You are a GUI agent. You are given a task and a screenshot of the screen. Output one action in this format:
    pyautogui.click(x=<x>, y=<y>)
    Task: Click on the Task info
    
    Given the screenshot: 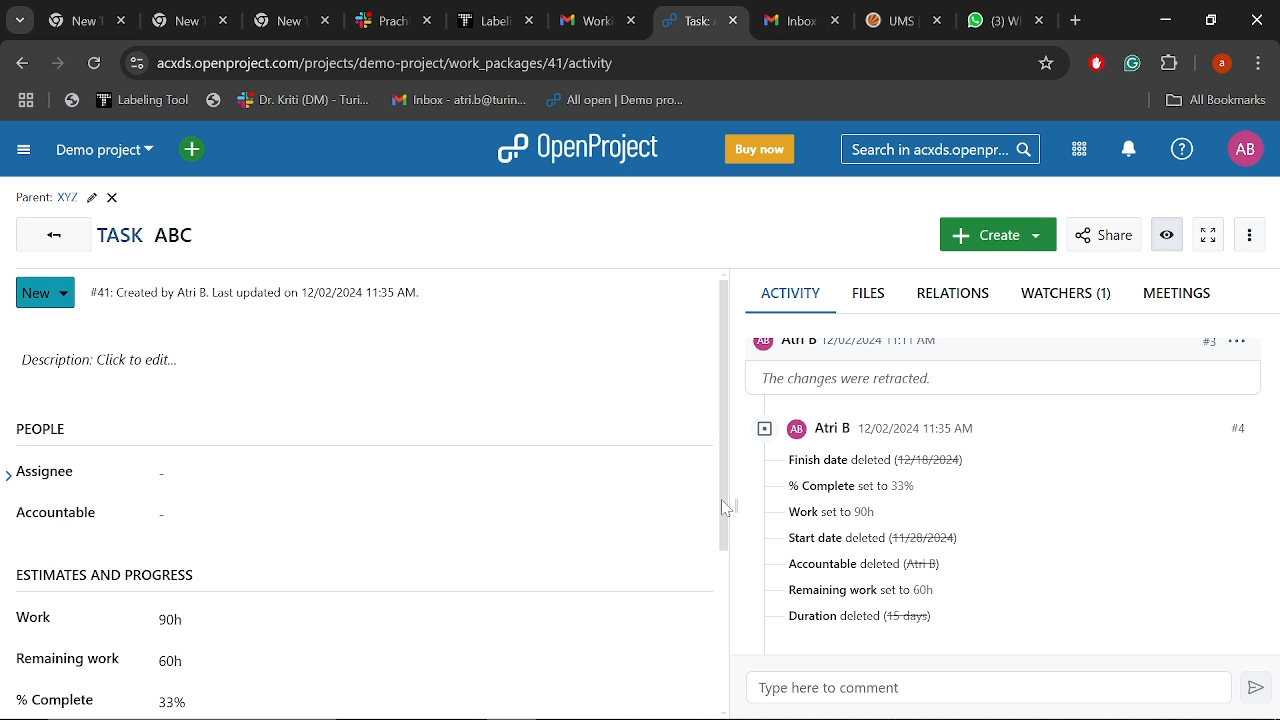 What is the action you would take?
    pyautogui.click(x=261, y=294)
    